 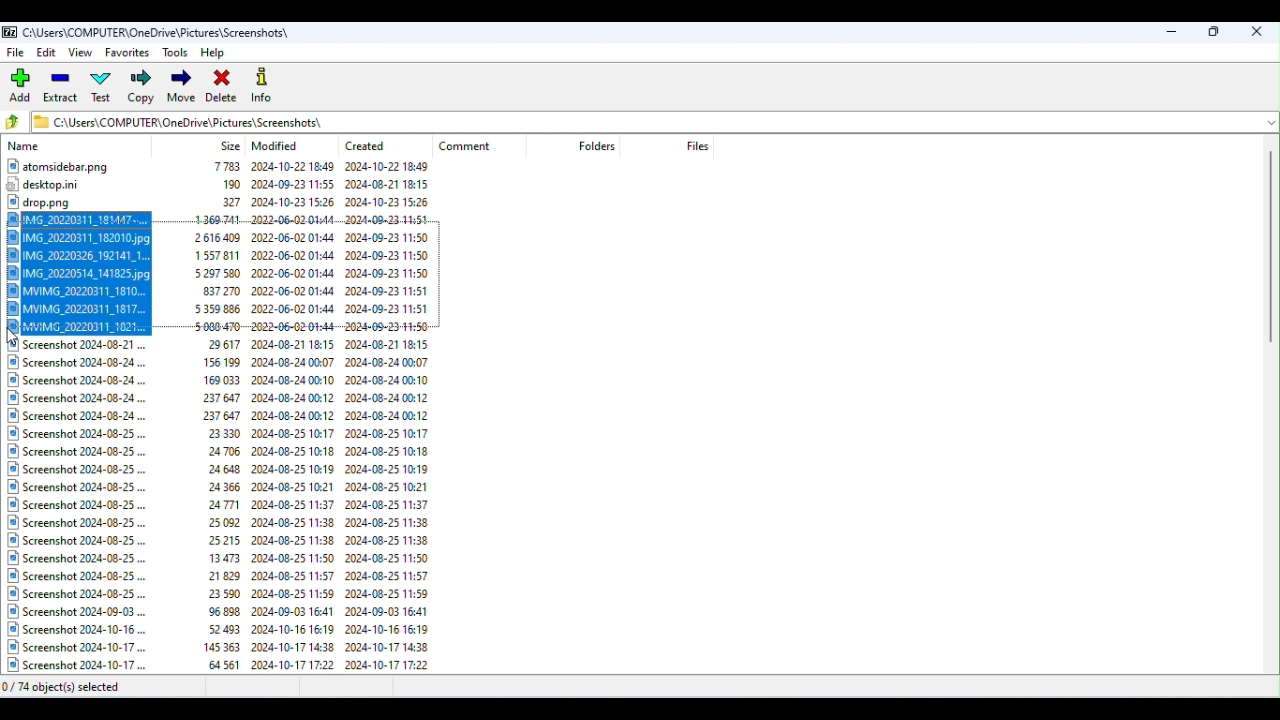 What do you see at coordinates (1214, 31) in the screenshot?
I see `Maximize` at bounding box center [1214, 31].